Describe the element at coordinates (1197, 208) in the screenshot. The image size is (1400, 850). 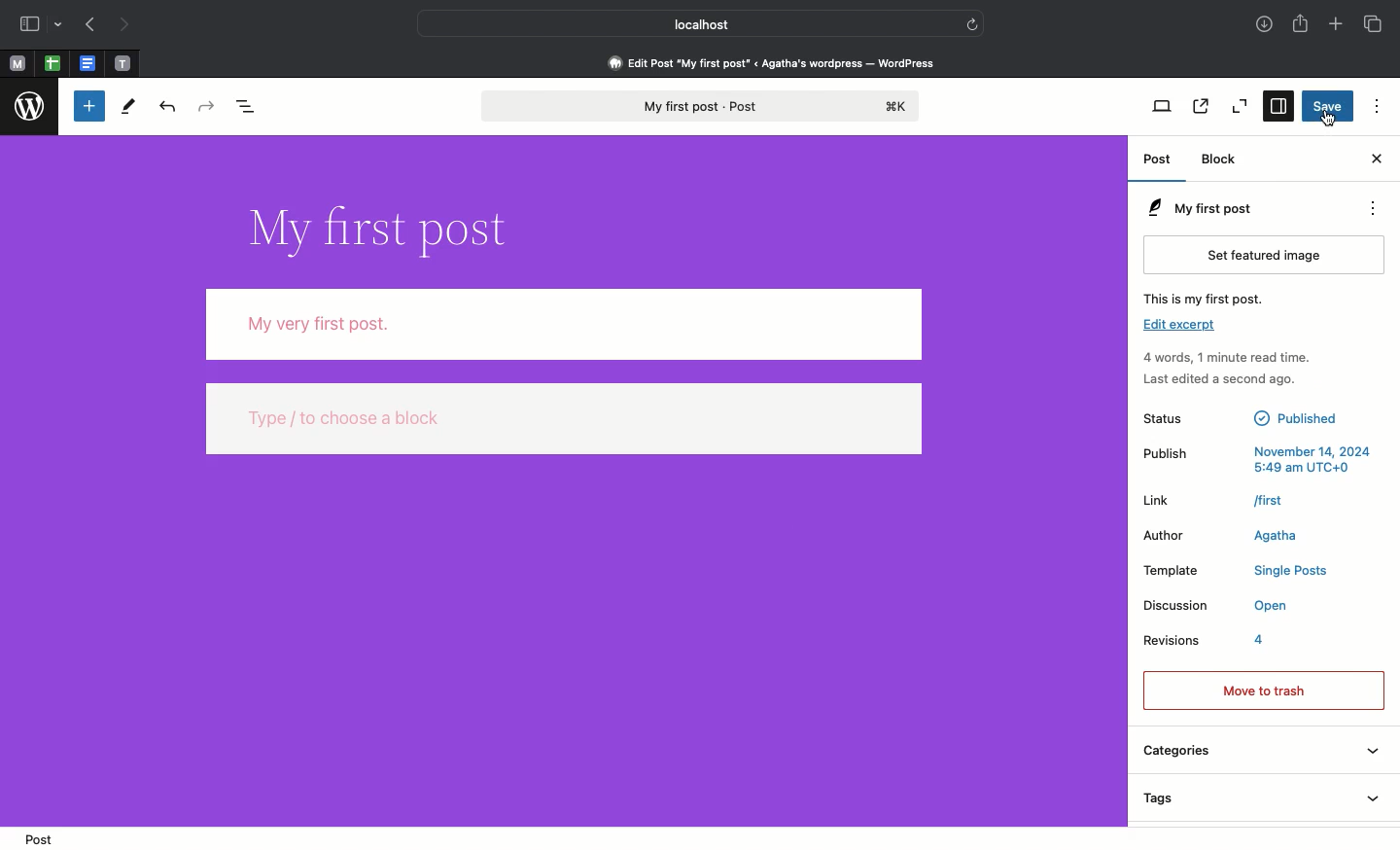
I see `My first post` at that location.